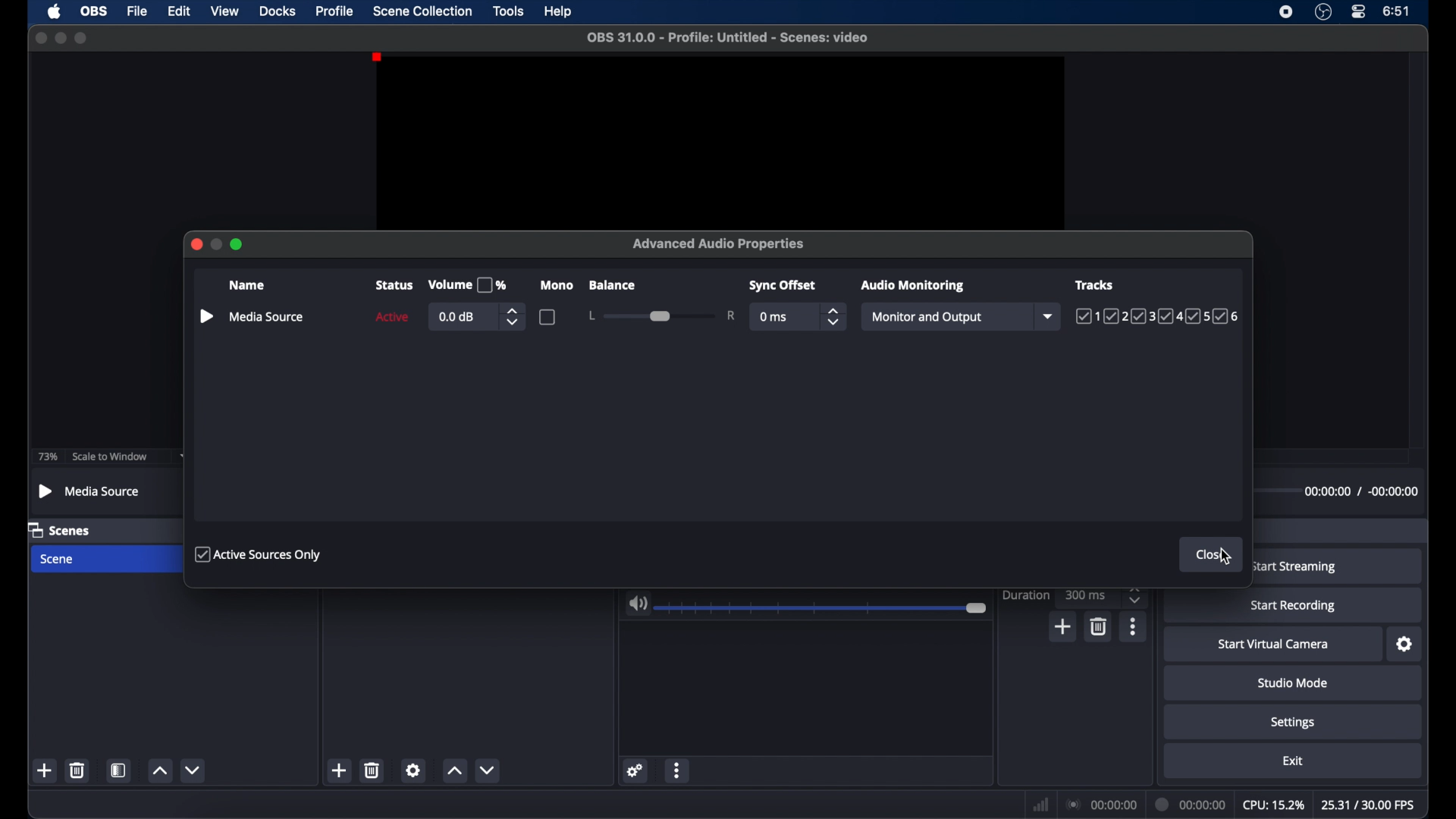 This screenshot has width=1456, height=819. I want to click on maximize, so click(237, 244).